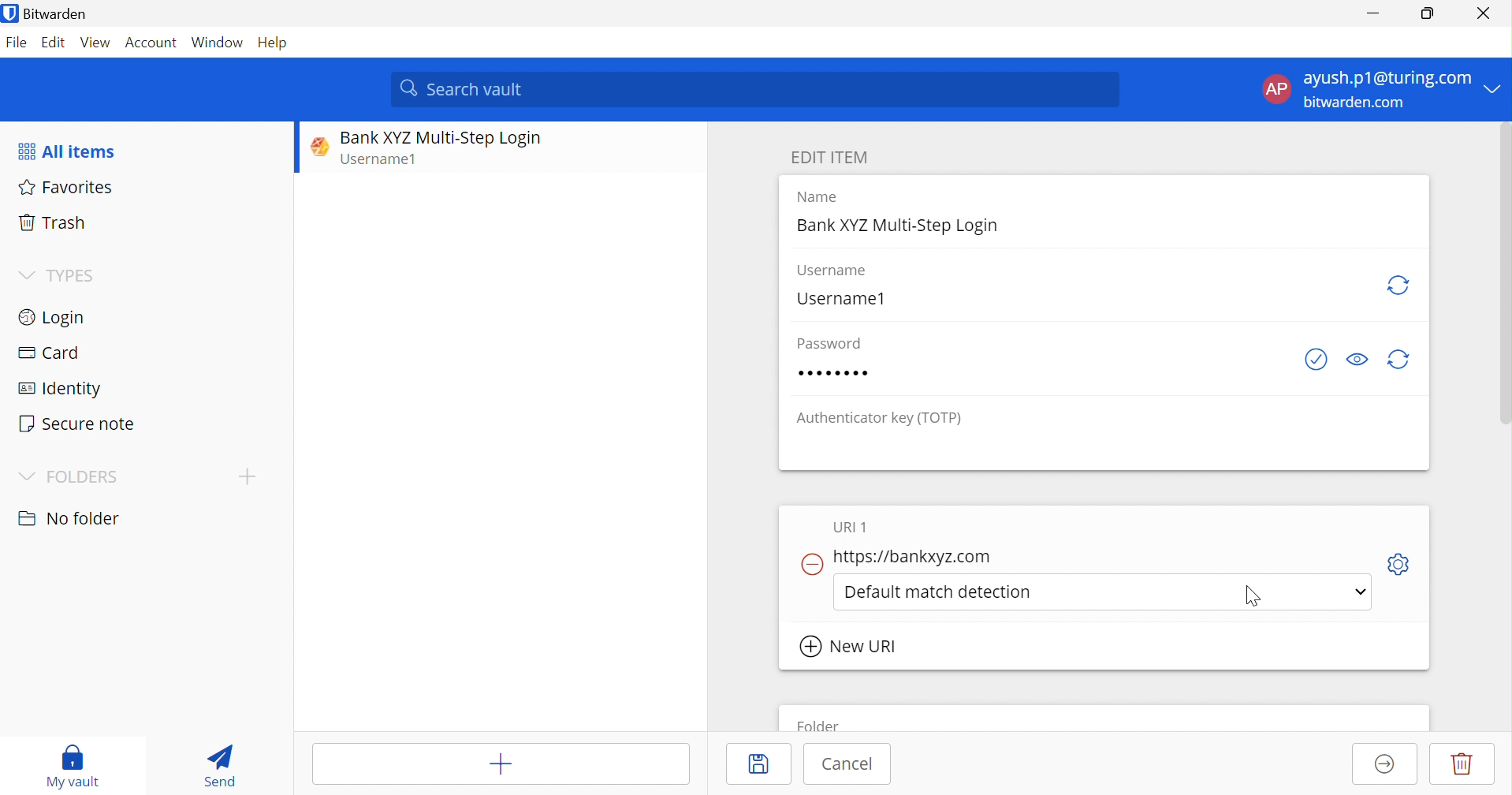 This screenshot has width=1512, height=795. I want to click on Add item, so click(501, 764).